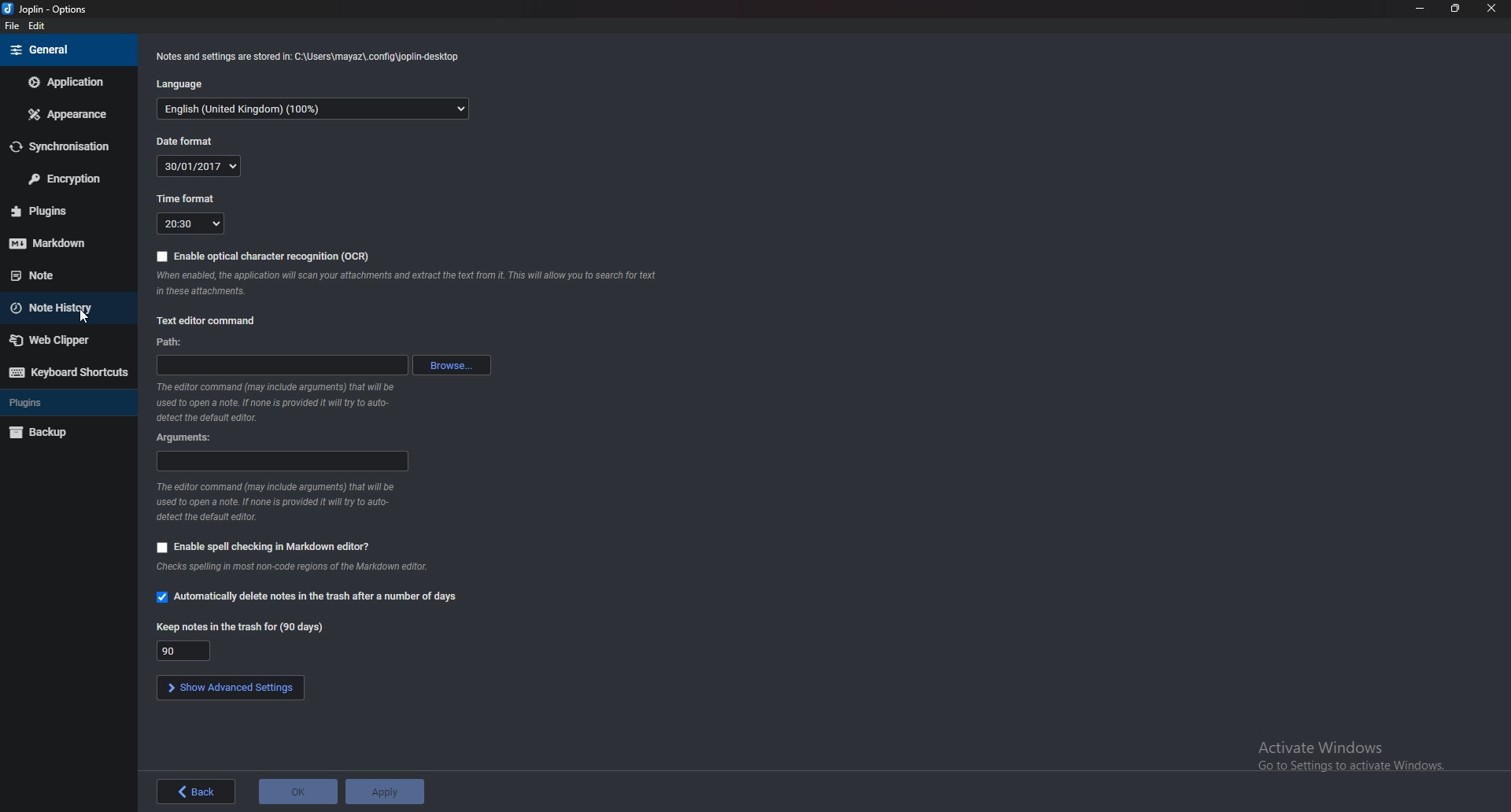 This screenshot has height=812, width=1511. I want to click on Automatically delete notes, so click(319, 598).